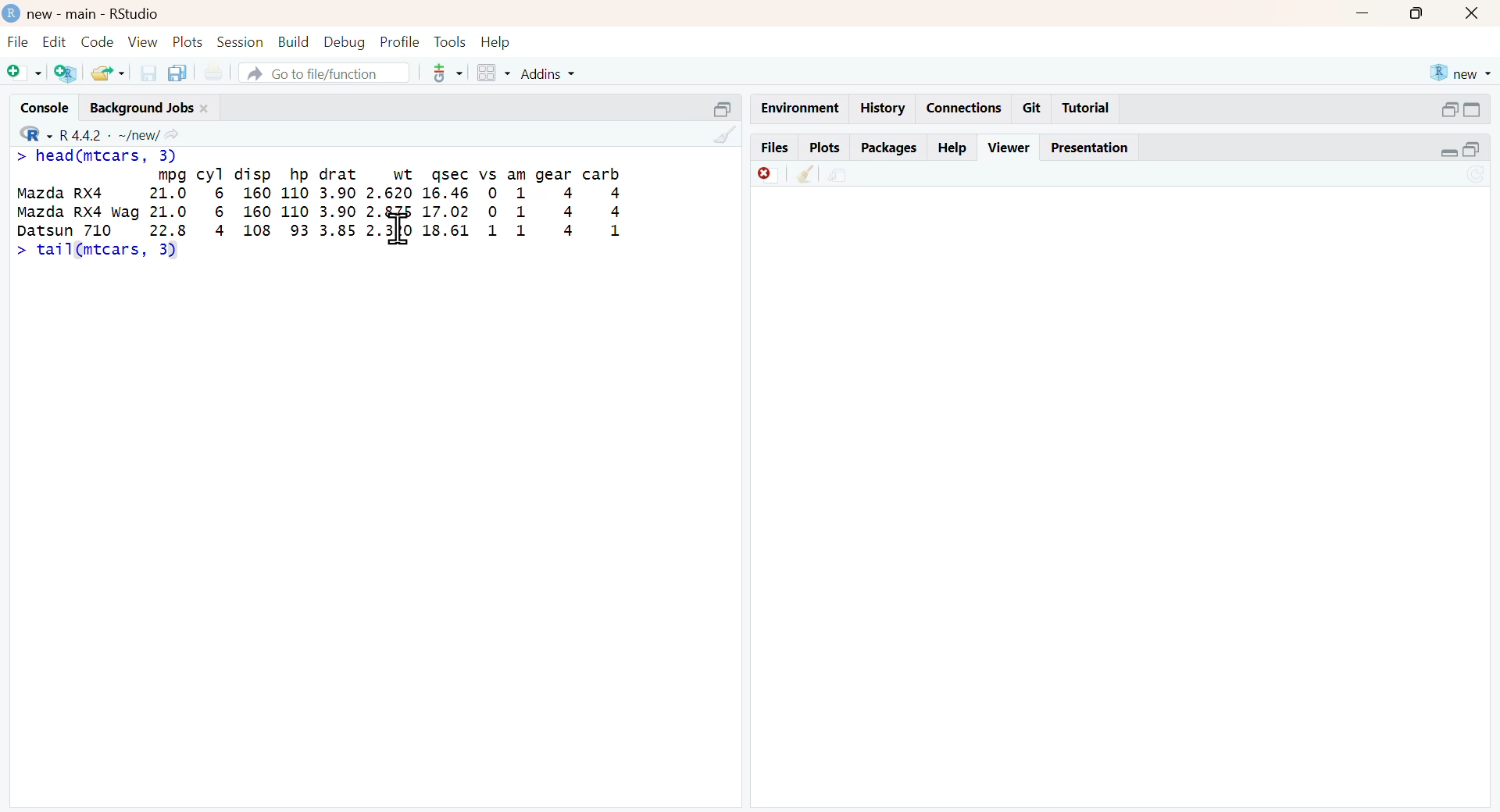  Describe the element at coordinates (397, 40) in the screenshot. I see `Profile` at that location.